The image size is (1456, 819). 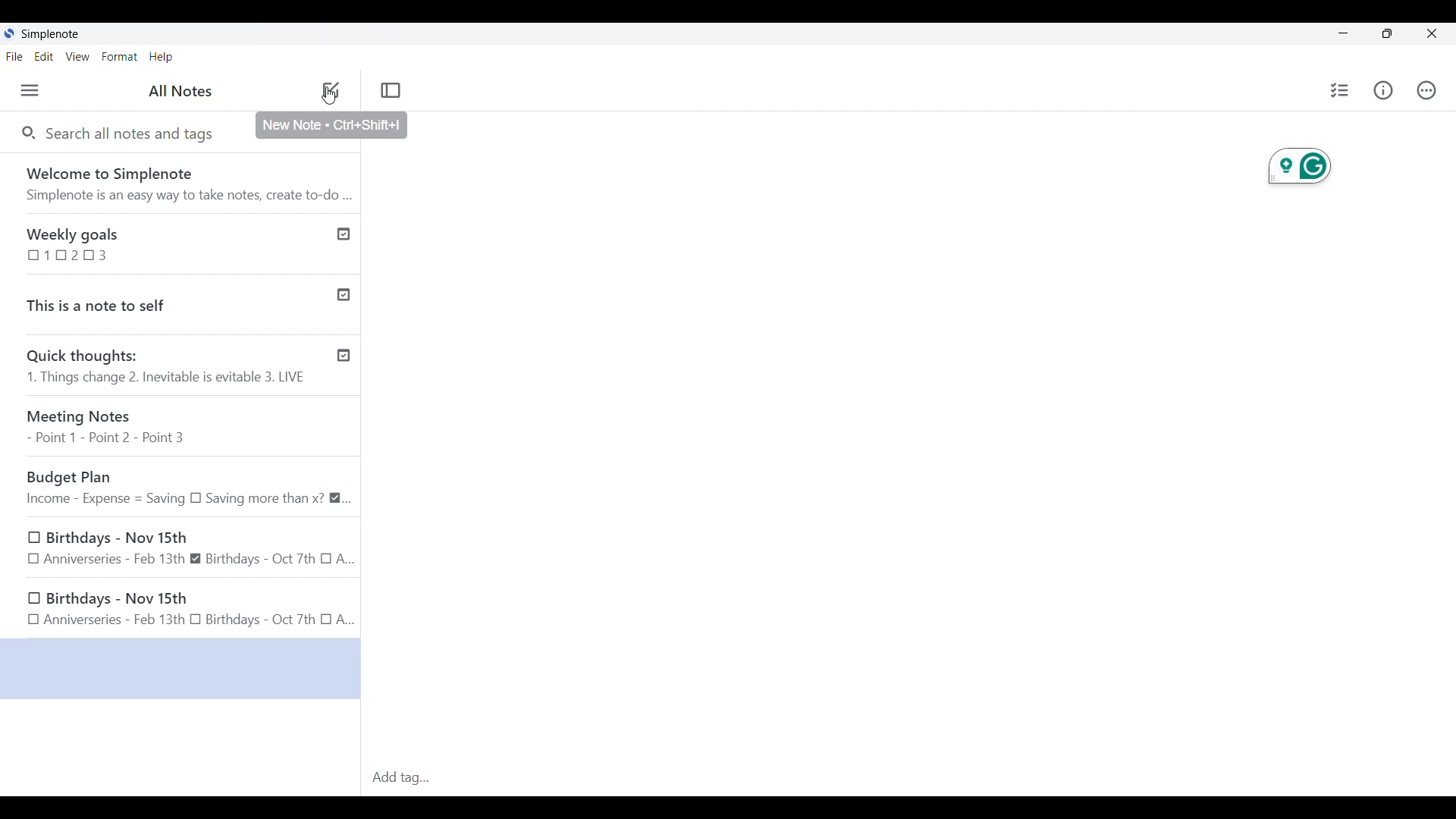 I want to click on Published notes check icon, so click(x=344, y=292).